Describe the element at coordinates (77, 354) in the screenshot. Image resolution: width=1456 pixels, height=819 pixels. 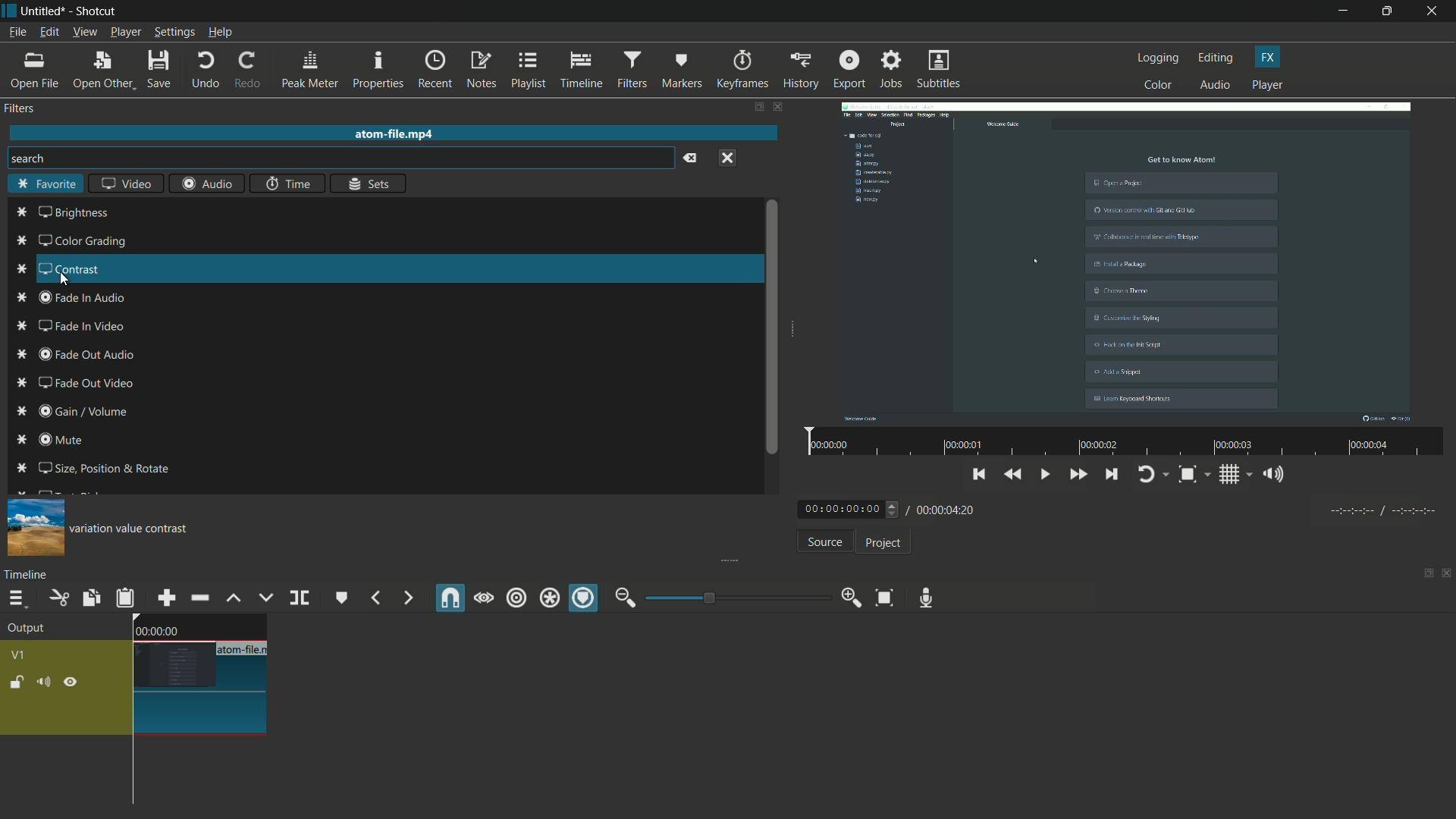
I see `fade out audio` at that location.